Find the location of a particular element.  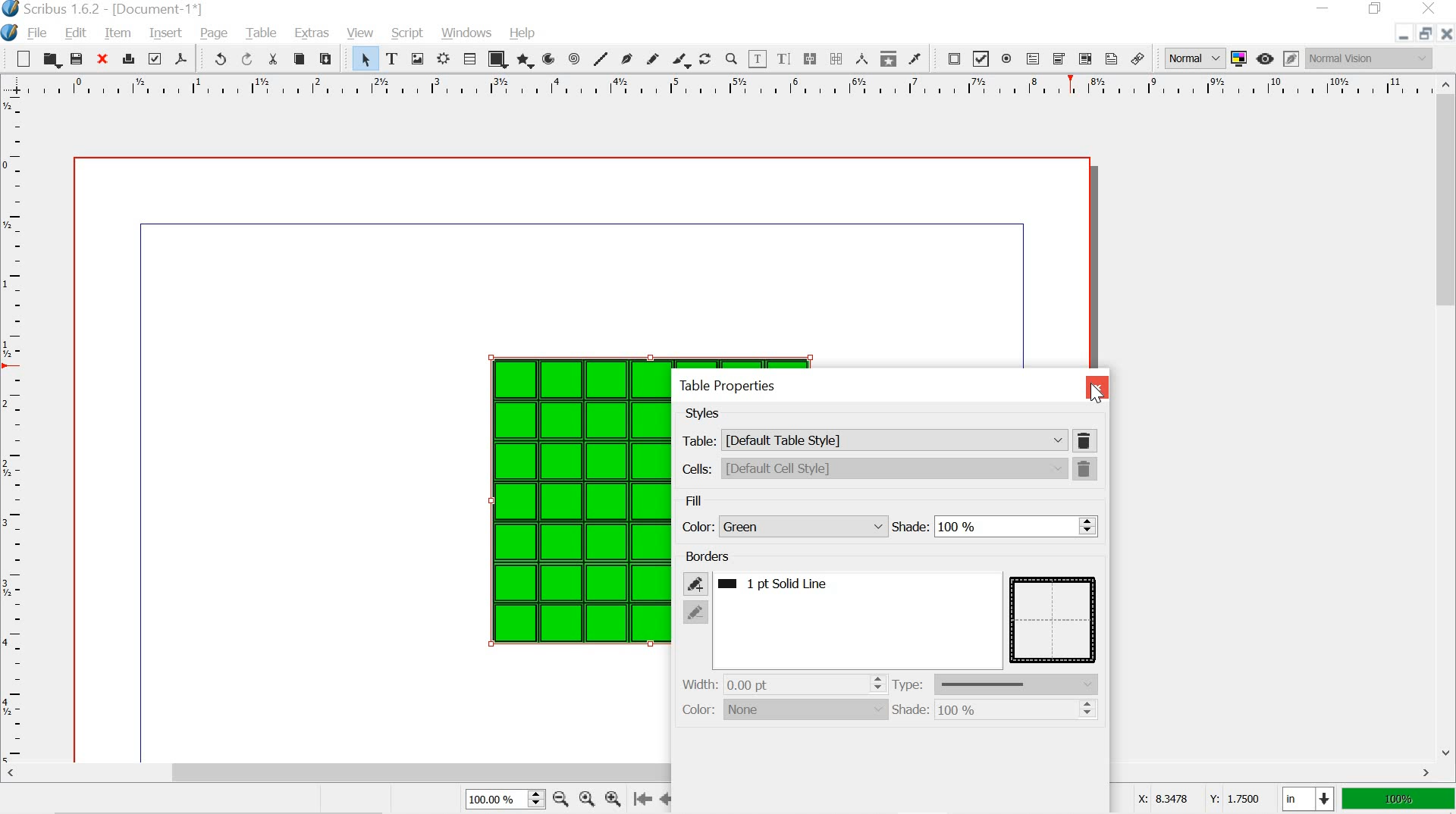

table is located at coordinates (1054, 618).